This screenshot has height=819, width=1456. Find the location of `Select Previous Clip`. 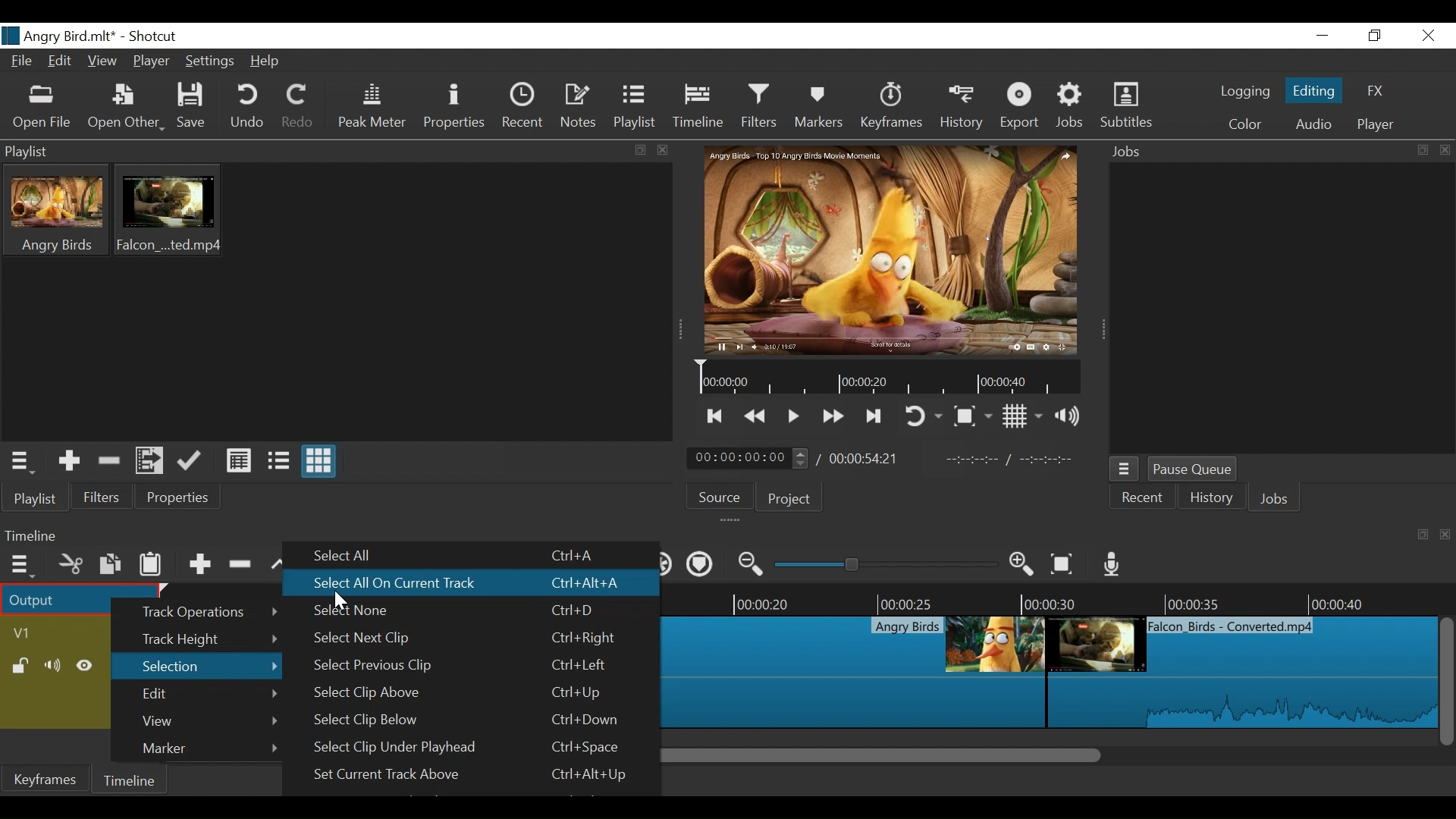

Select Previous Clip is located at coordinates (481, 665).